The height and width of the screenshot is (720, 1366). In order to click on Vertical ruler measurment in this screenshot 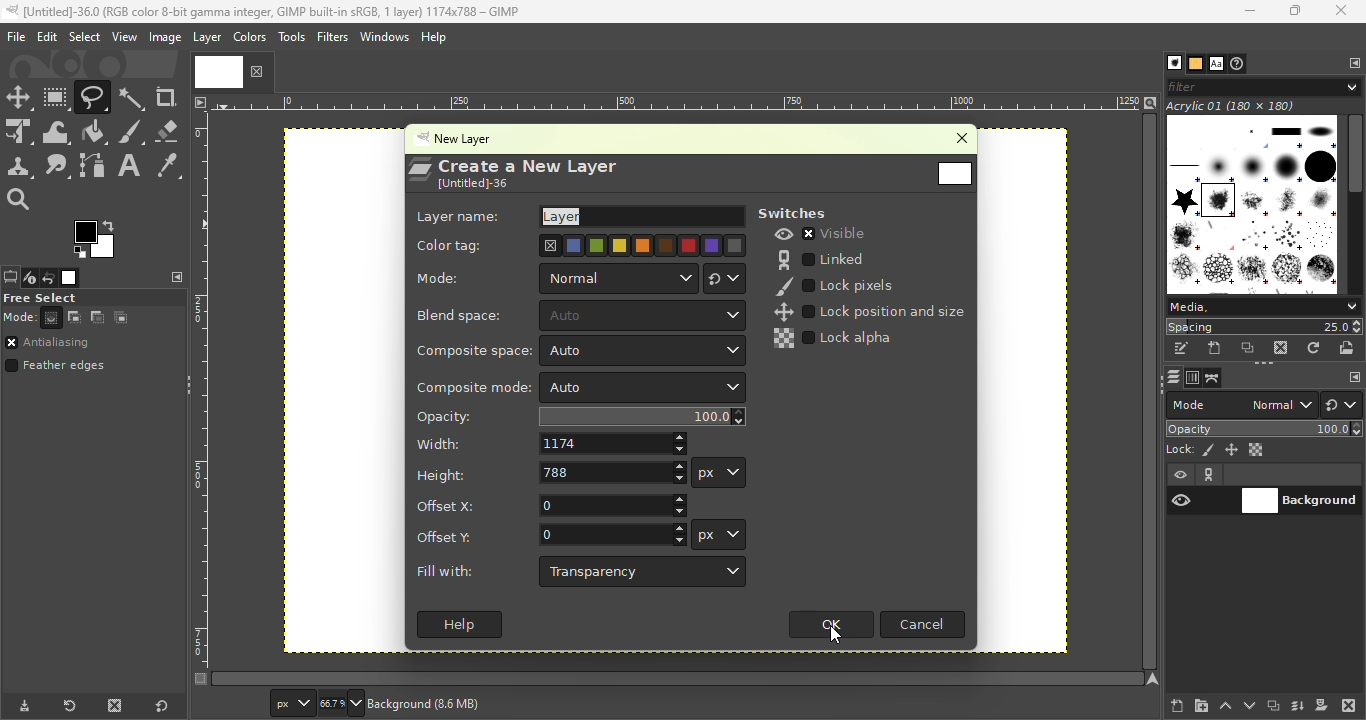, I will do `click(200, 398)`.